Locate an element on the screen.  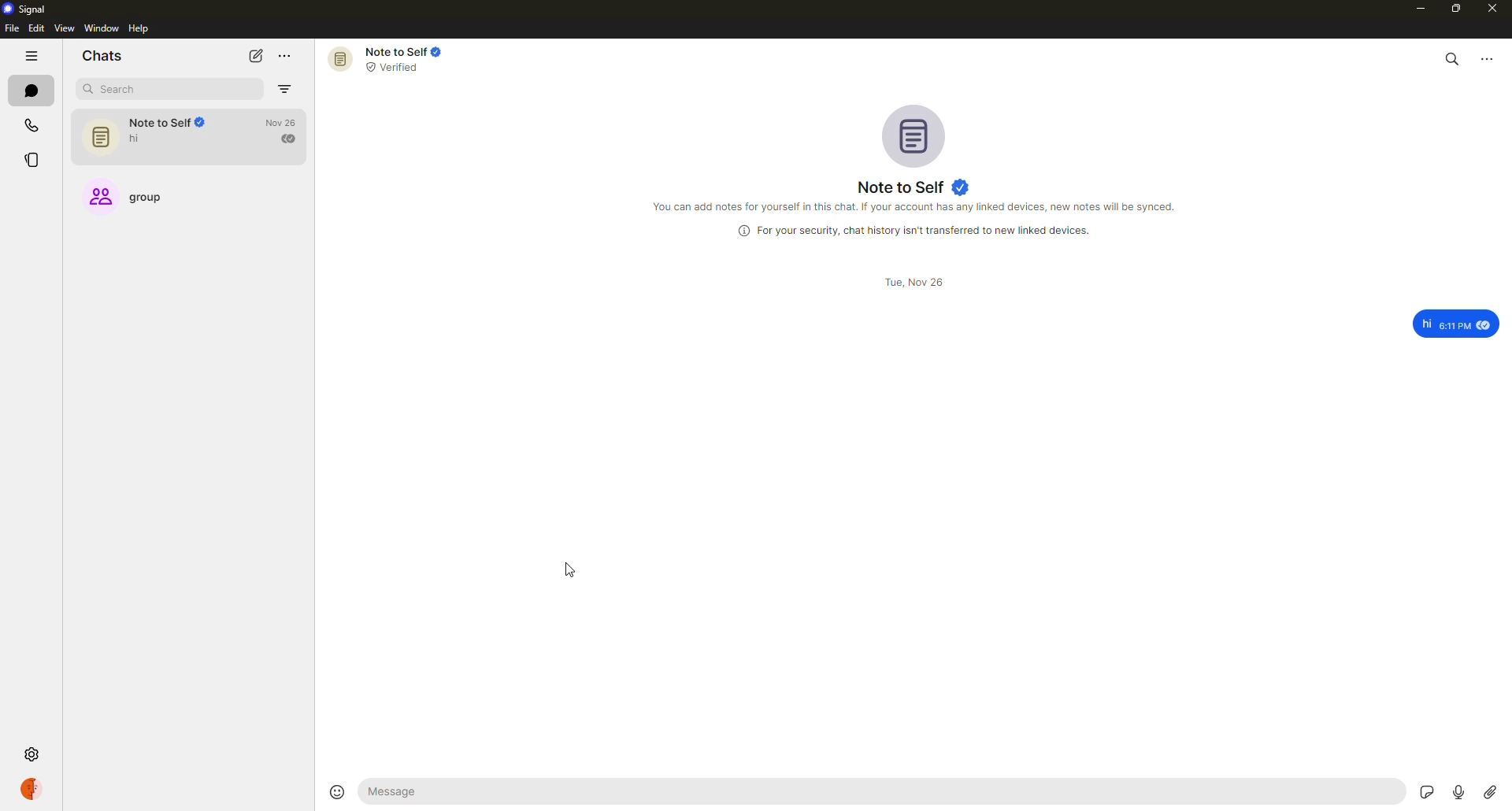
stickers is located at coordinates (1421, 790).